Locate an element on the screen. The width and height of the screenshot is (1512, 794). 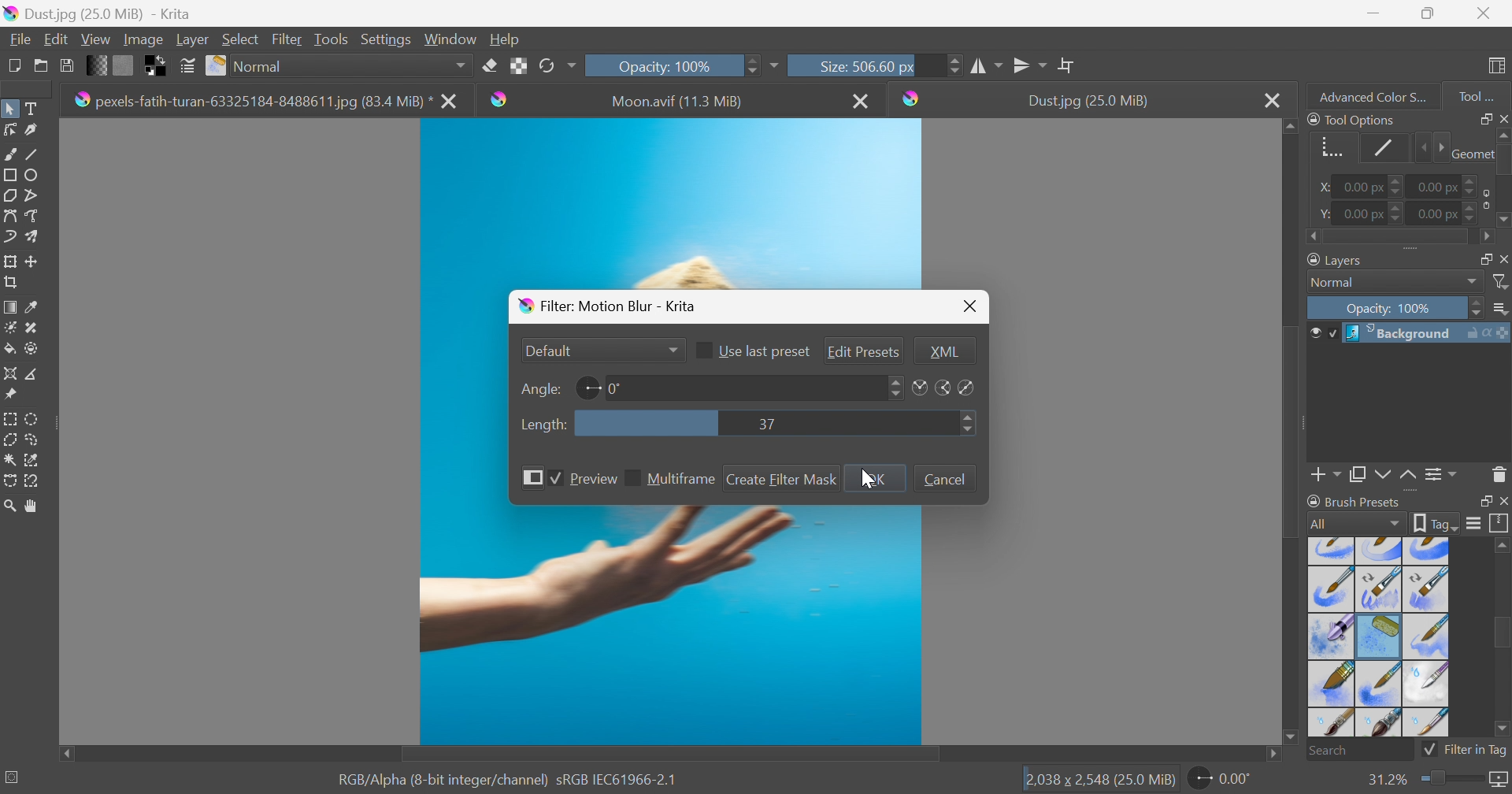
Slider is located at coordinates (1477, 309).